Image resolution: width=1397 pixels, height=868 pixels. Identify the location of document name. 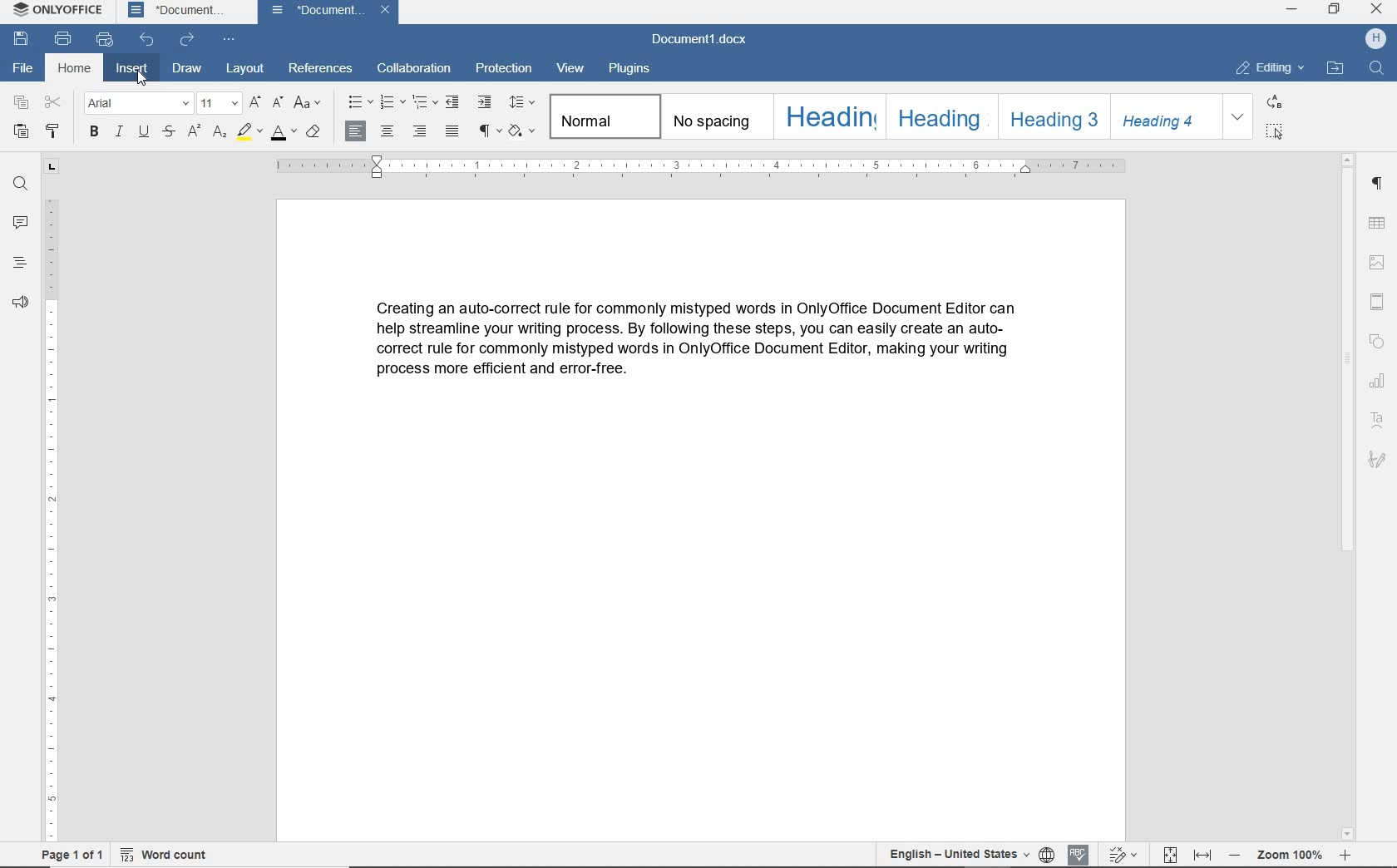
(705, 40).